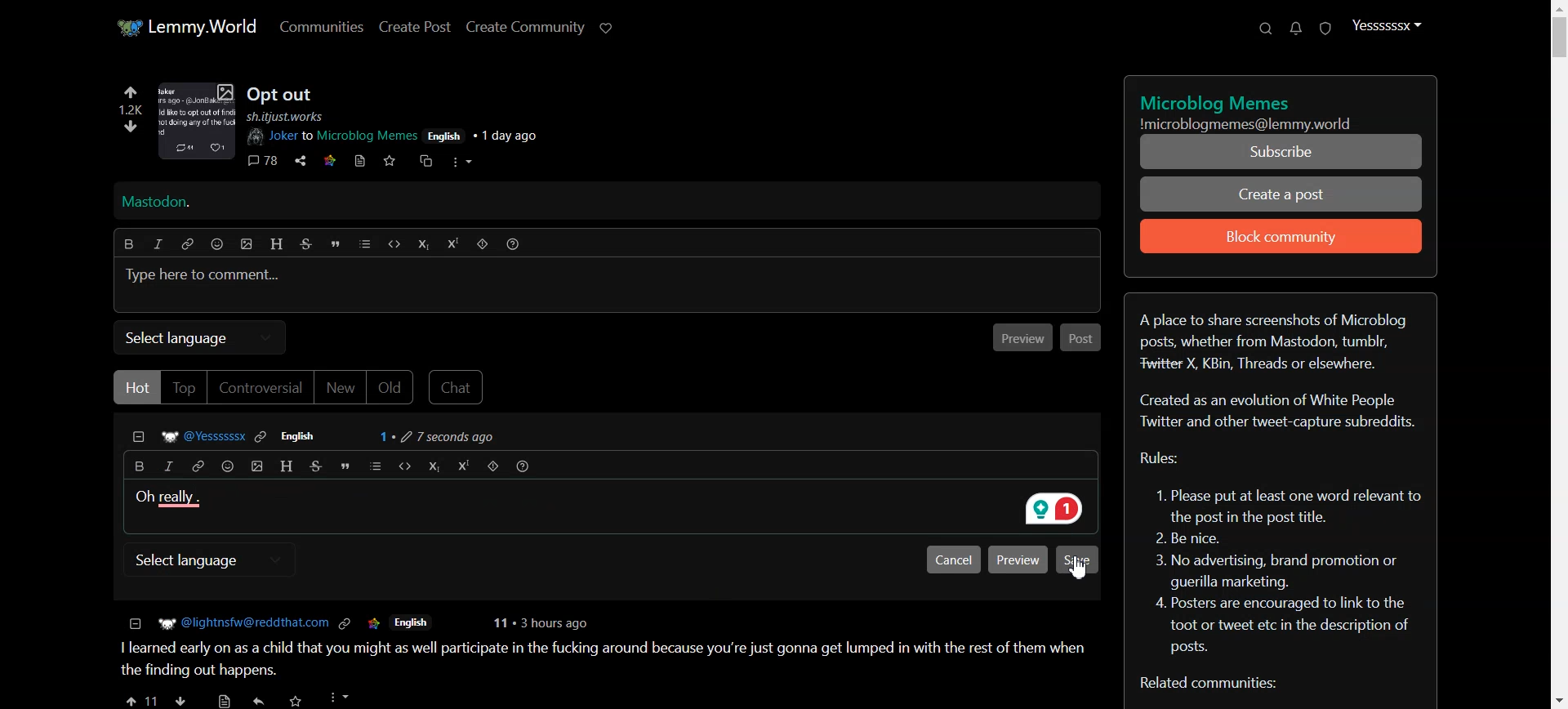 This screenshot has height=709, width=1568. What do you see at coordinates (297, 698) in the screenshot?
I see `` at bounding box center [297, 698].